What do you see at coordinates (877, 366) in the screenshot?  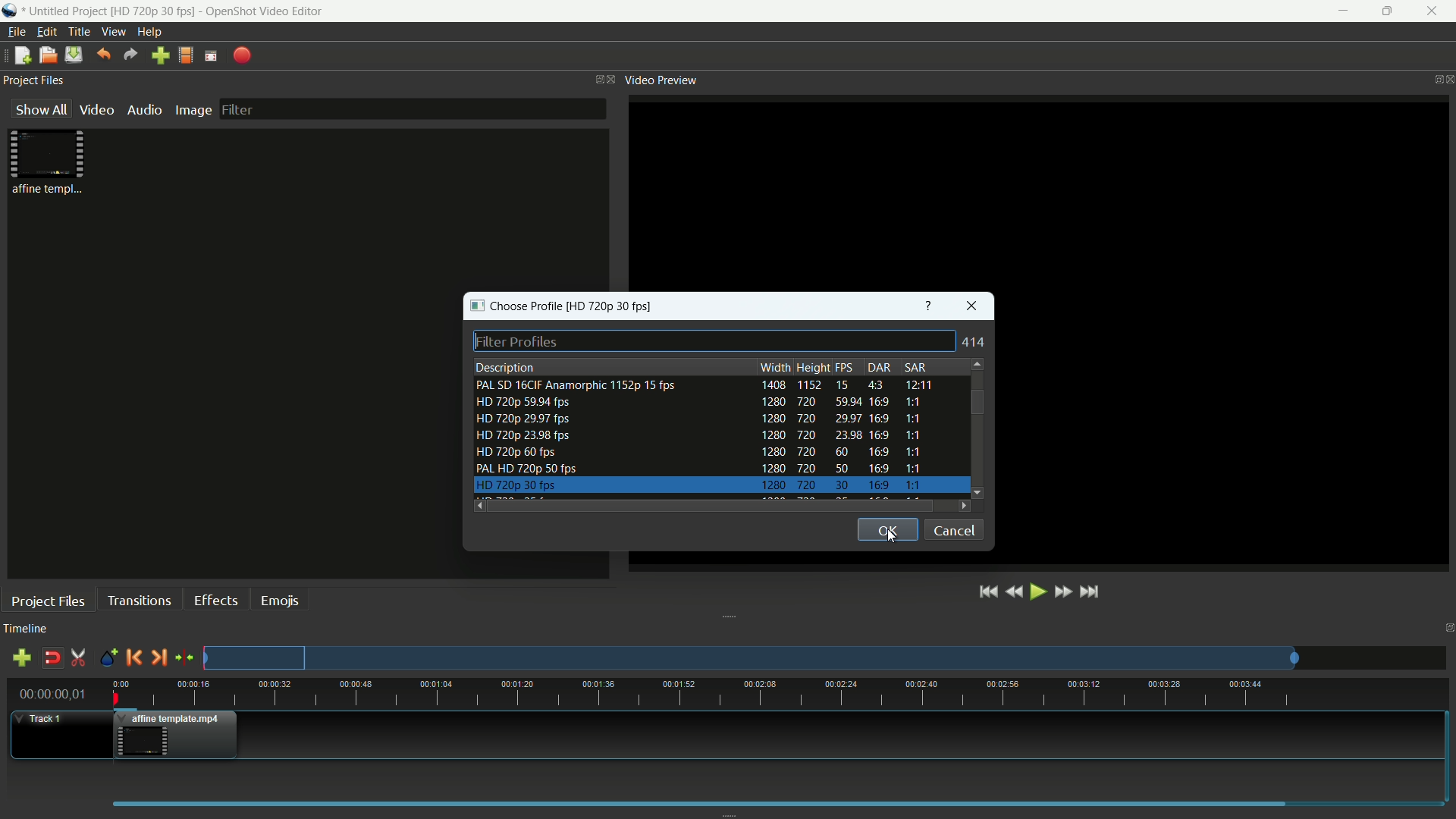 I see `dar` at bounding box center [877, 366].